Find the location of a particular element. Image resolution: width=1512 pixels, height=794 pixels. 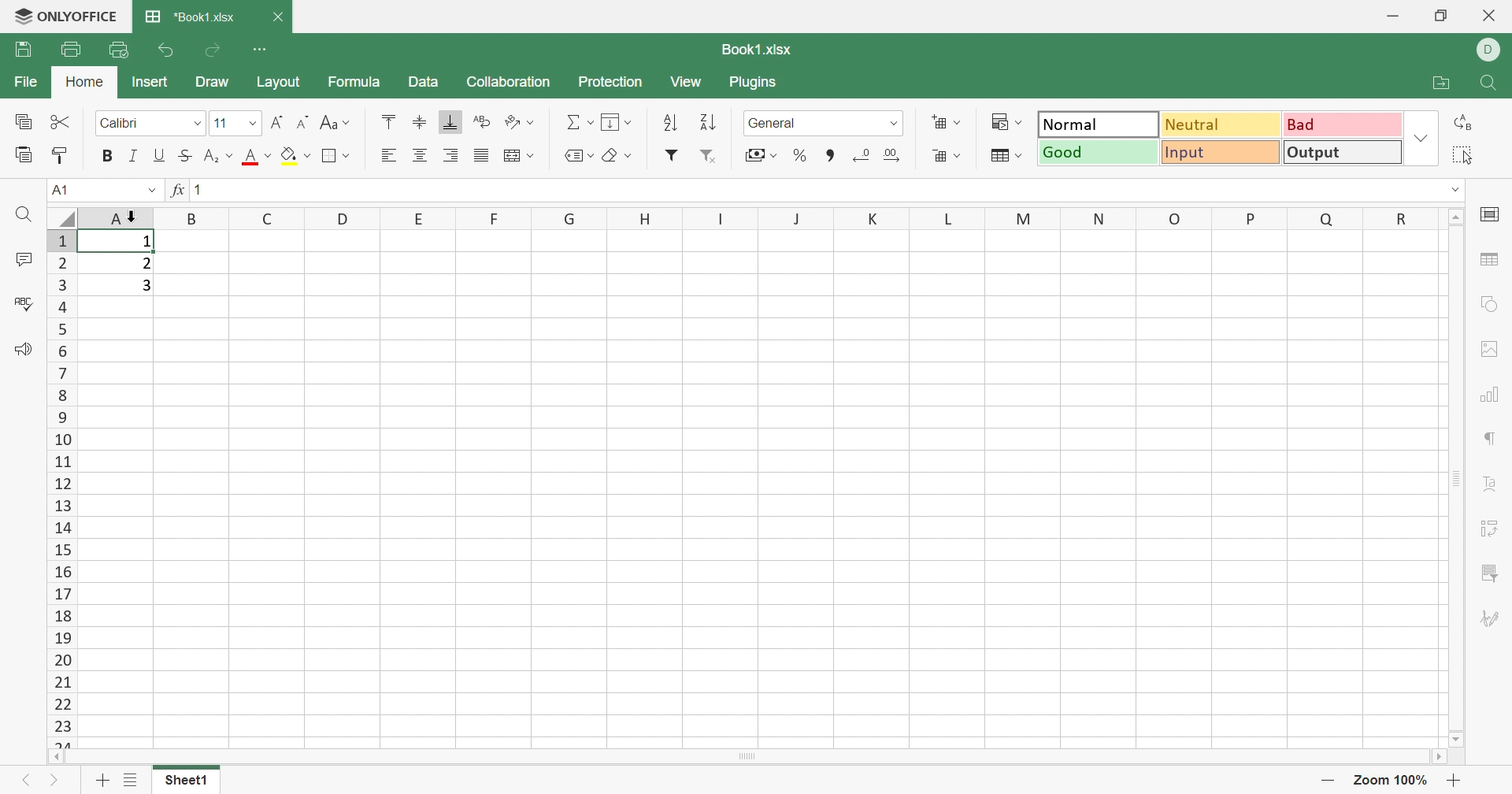

Undo is located at coordinates (169, 52).